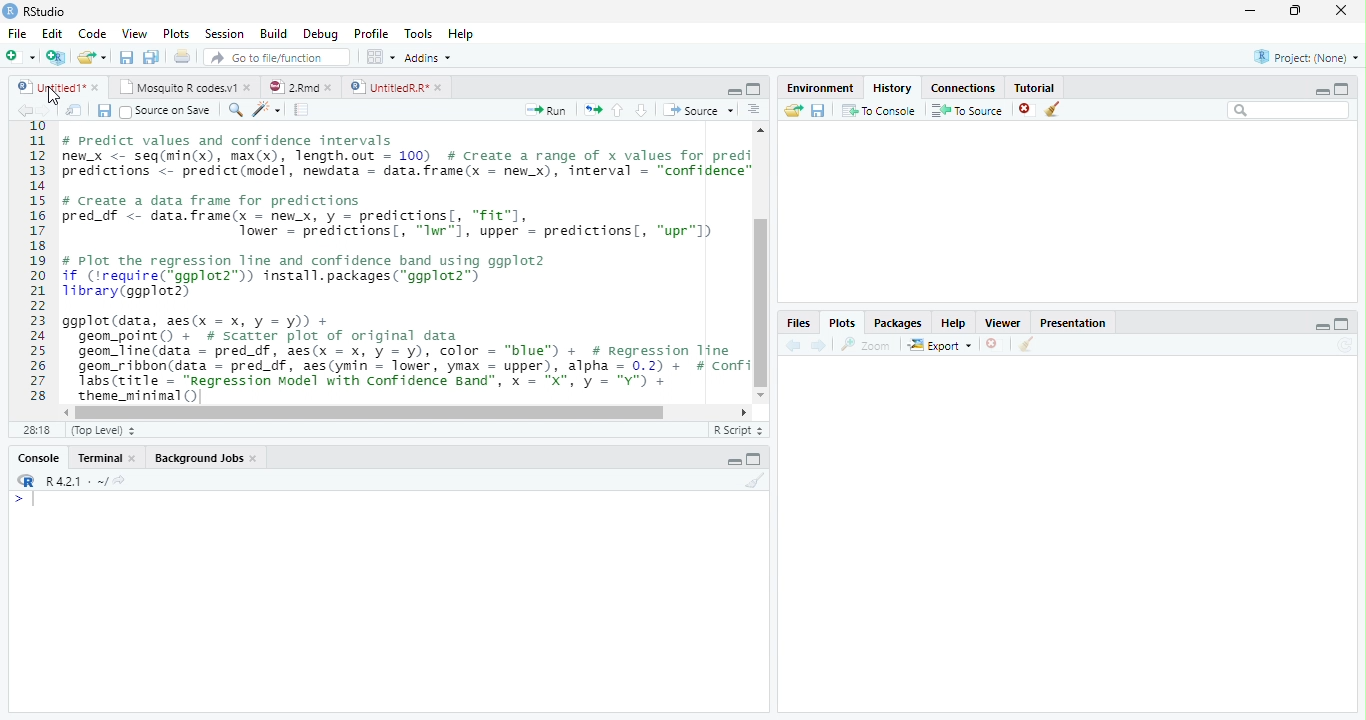 This screenshot has width=1366, height=720. I want to click on 1:1, so click(32, 433).